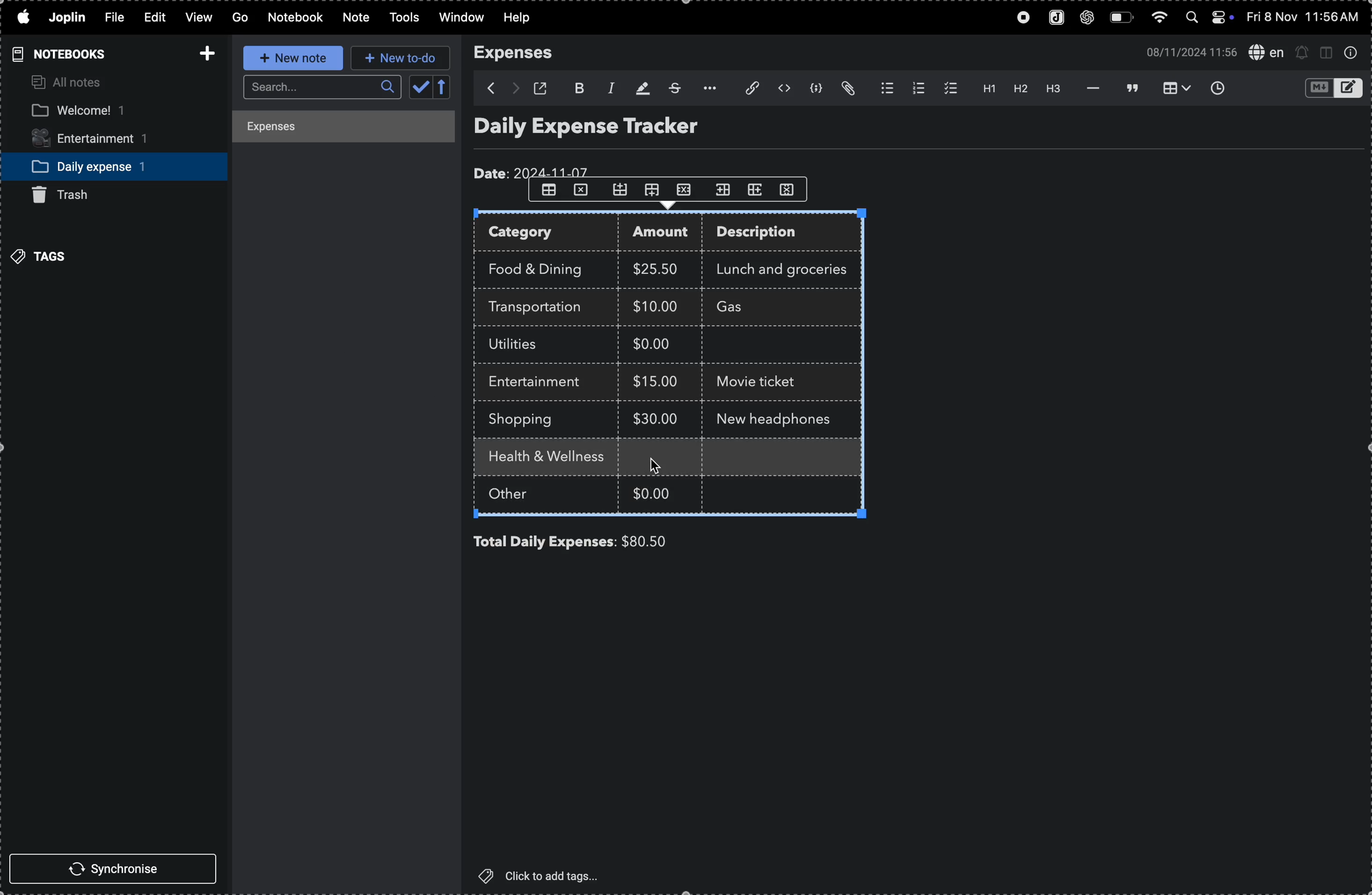  Describe the element at coordinates (984, 89) in the screenshot. I see `heading 1` at that location.